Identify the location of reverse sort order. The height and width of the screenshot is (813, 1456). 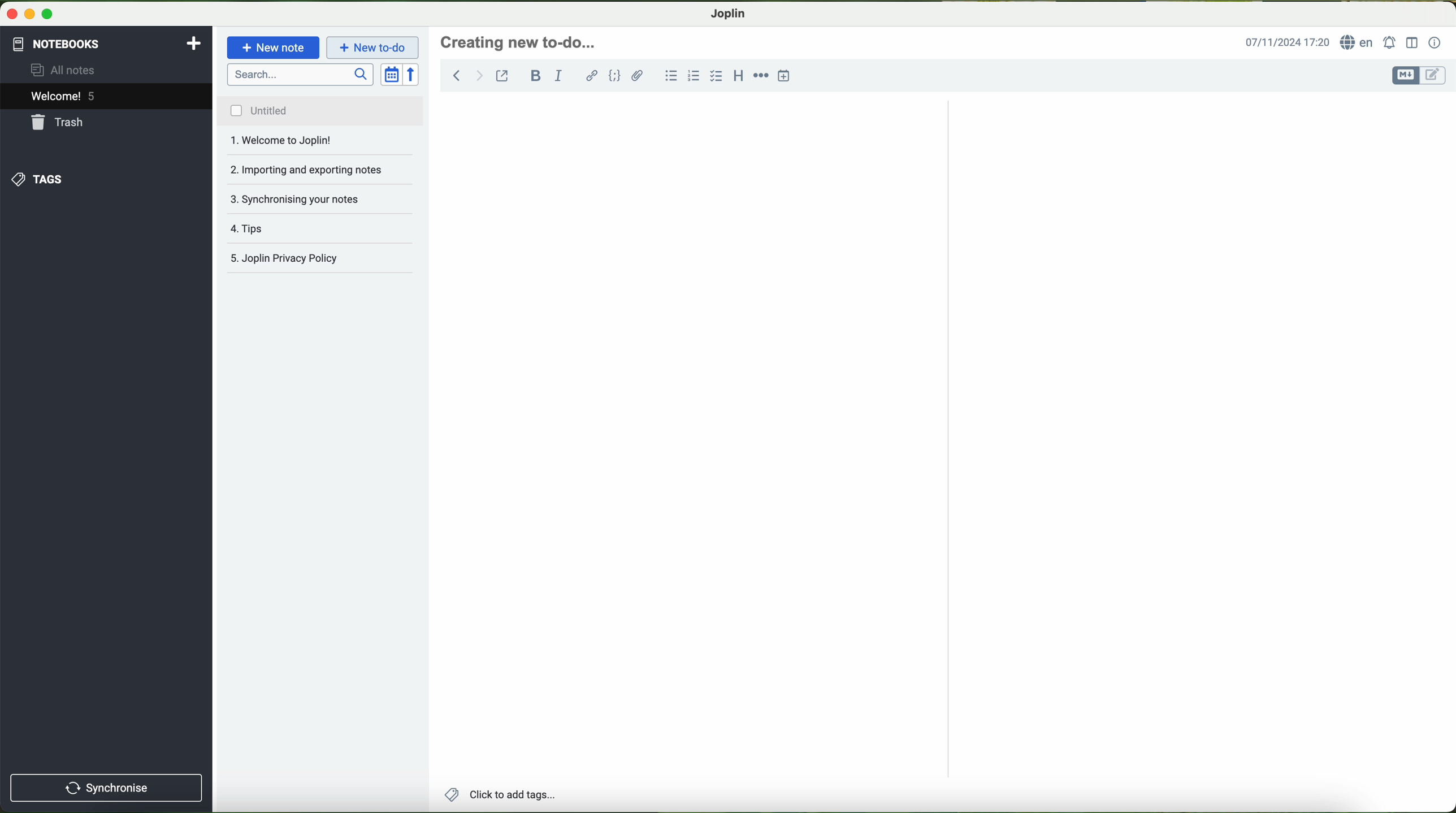
(414, 75).